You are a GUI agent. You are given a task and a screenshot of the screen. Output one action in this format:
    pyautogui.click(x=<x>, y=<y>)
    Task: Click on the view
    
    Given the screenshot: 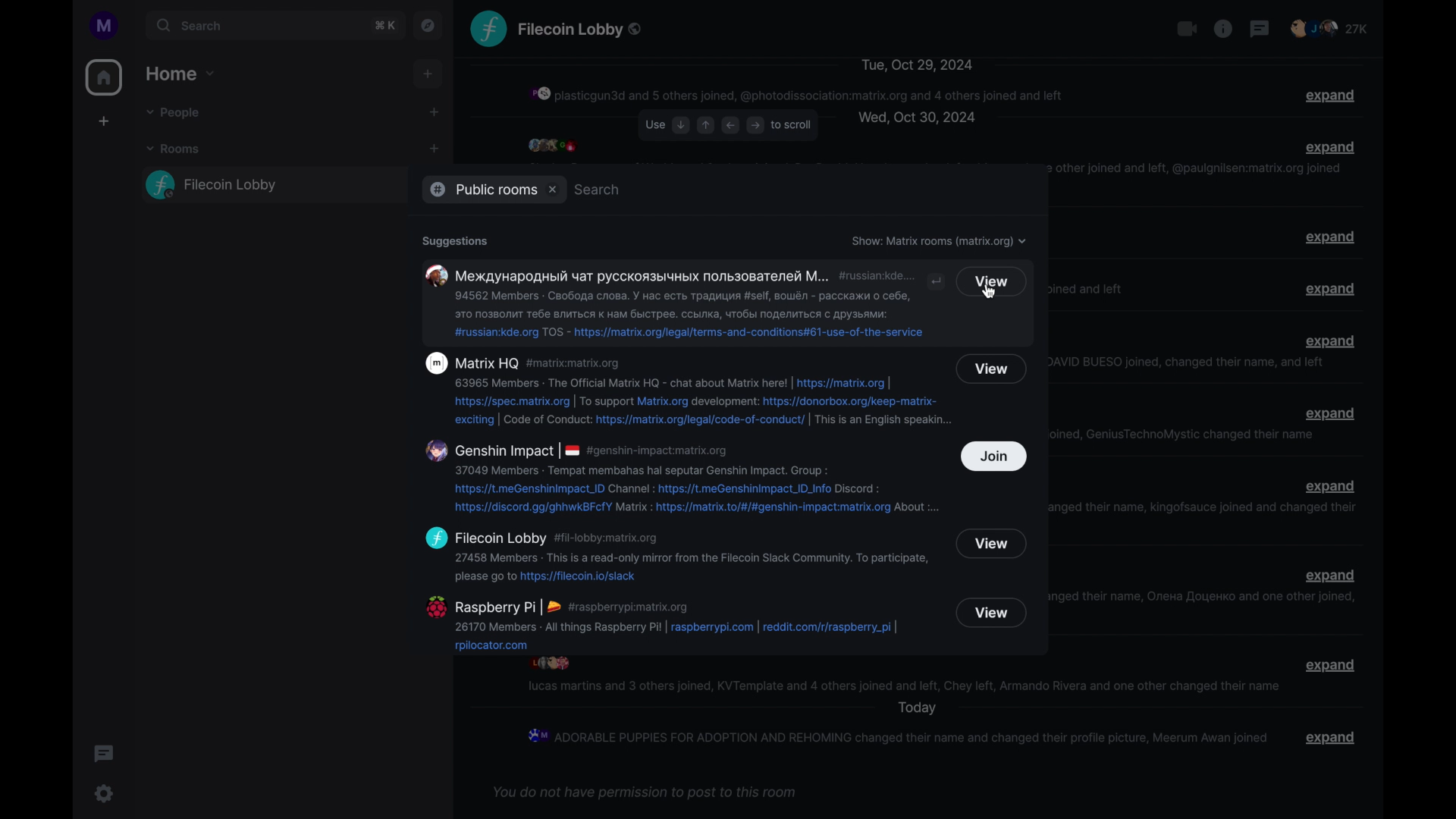 What is the action you would take?
    pyautogui.click(x=992, y=543)
    